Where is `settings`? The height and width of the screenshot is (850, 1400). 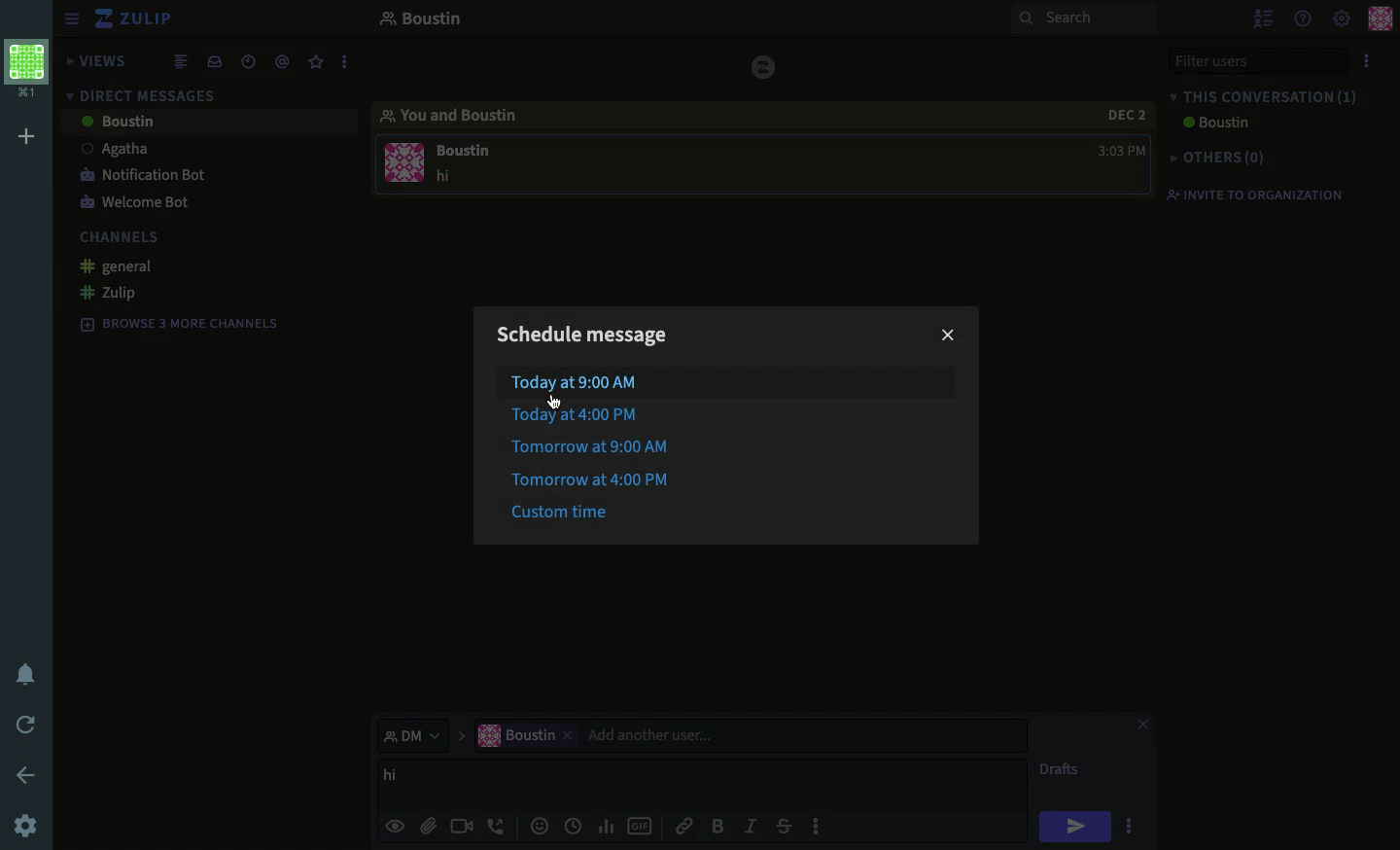 settings is located at coordinates (25, 826).